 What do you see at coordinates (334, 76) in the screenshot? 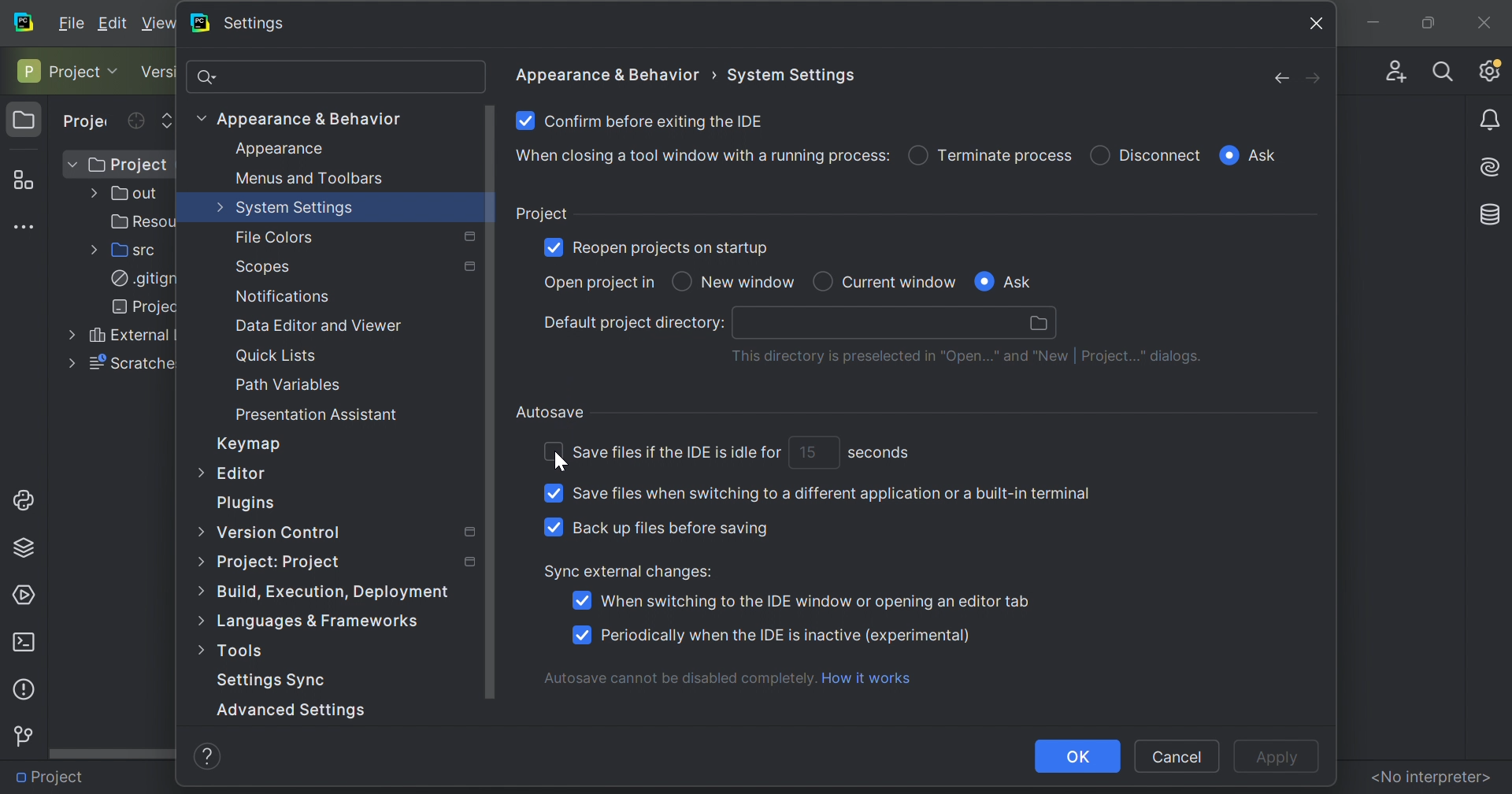
I see `Search` at bounding box center [334, 76].